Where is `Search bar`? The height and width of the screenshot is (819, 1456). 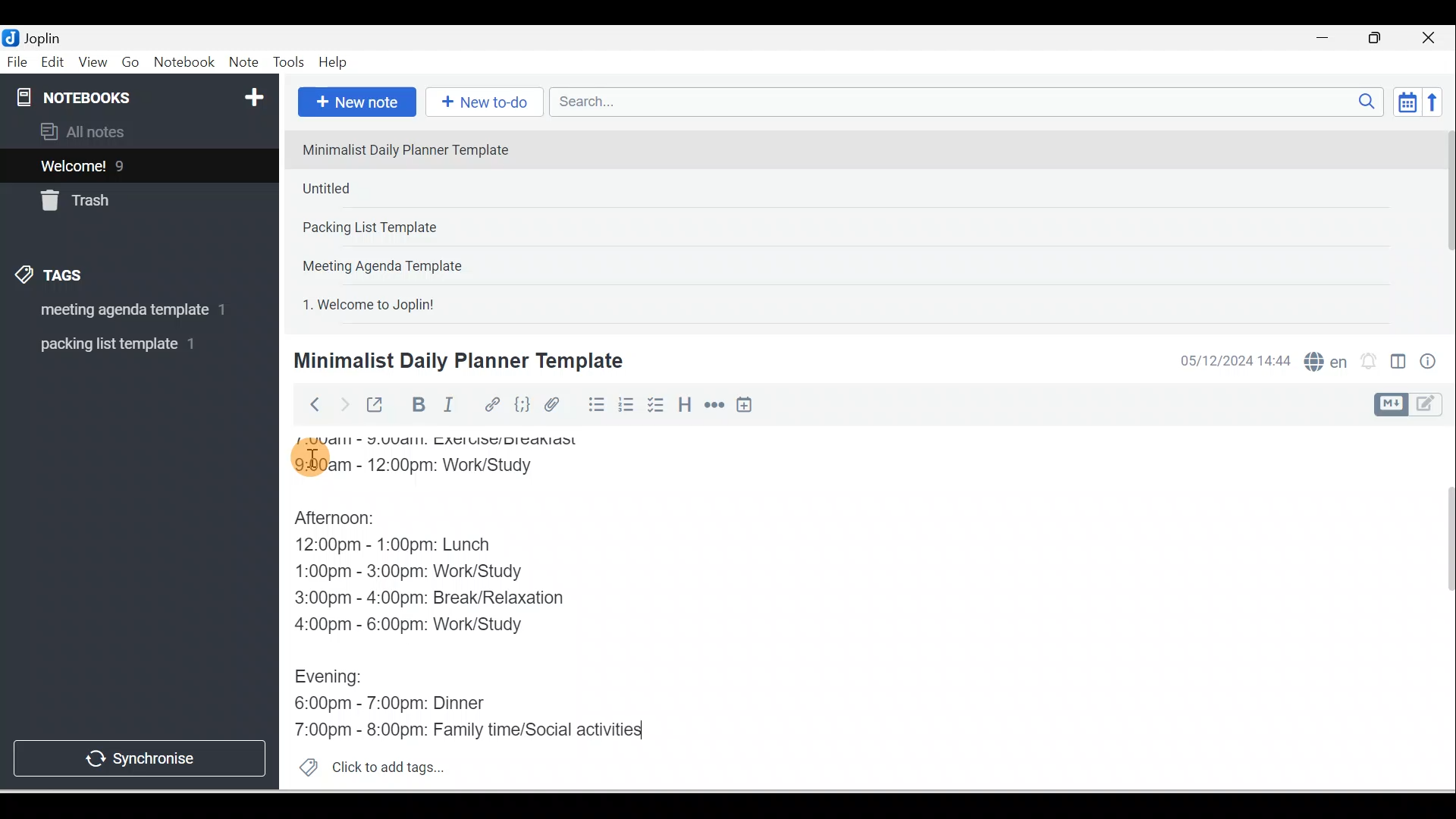
Search bar is located at coordinates (971, 102).